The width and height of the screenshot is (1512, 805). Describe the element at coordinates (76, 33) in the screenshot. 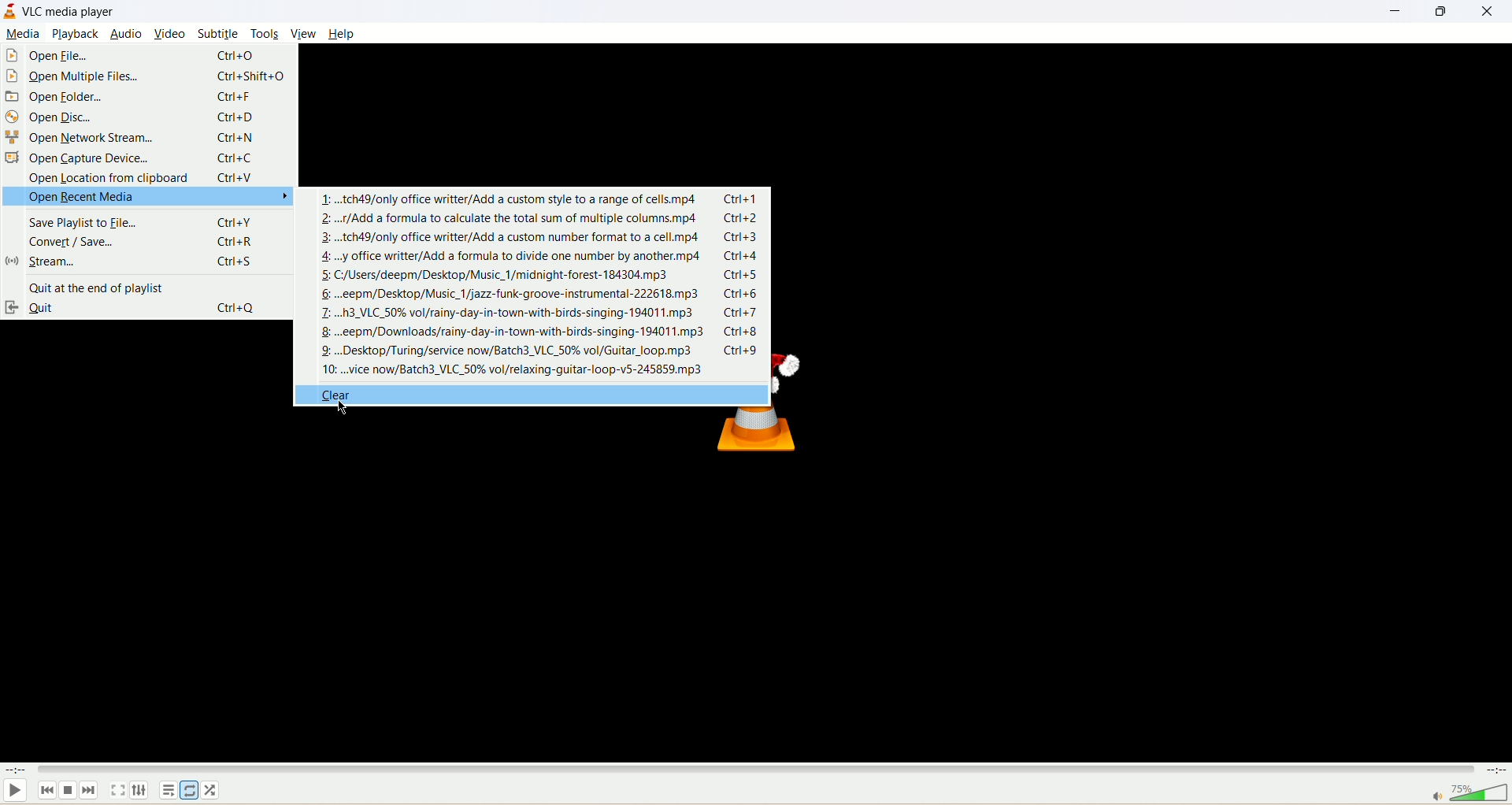

I see `playback` at that location.